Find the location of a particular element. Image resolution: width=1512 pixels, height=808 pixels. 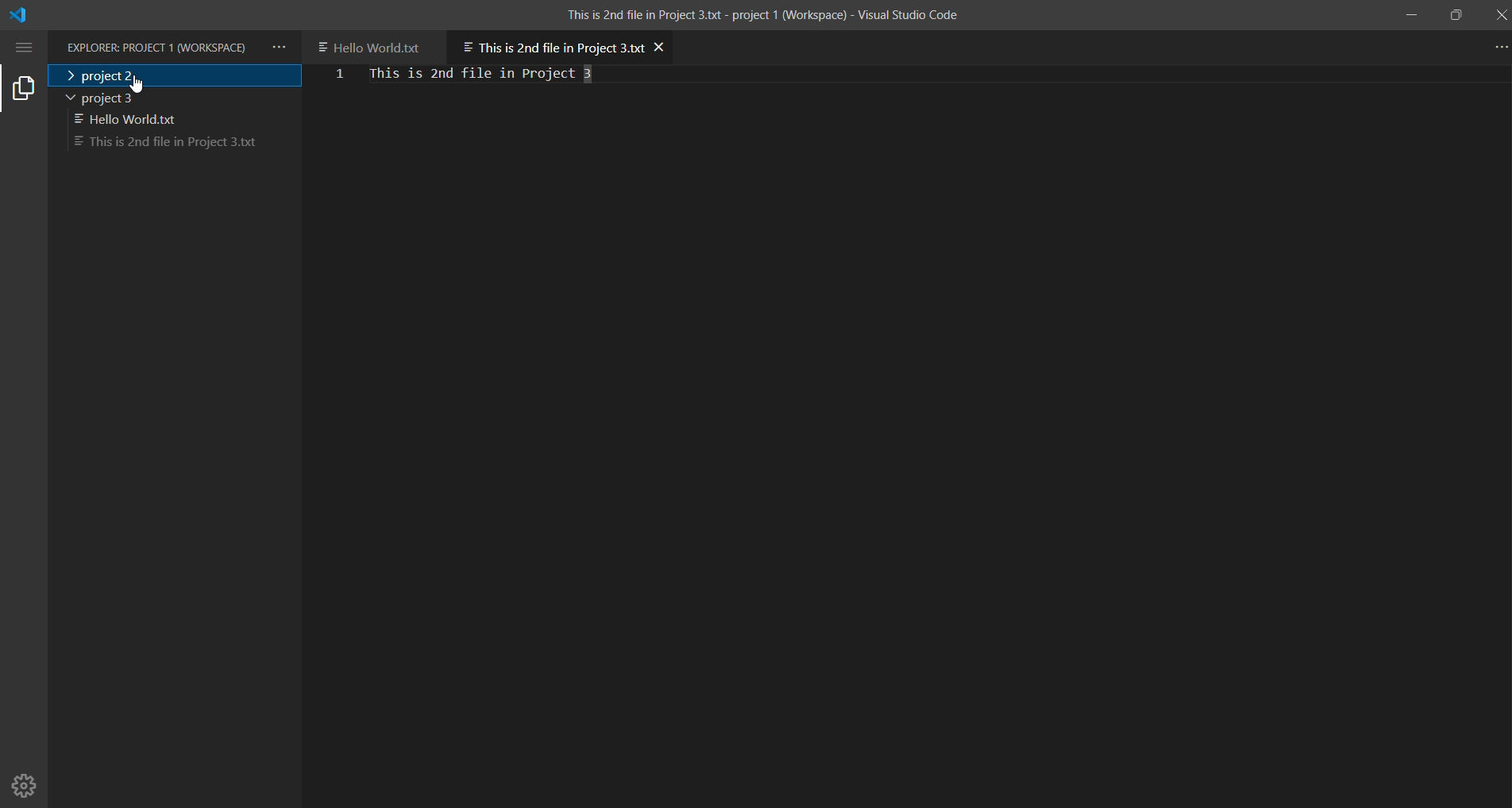

another file in project is located at coordinates (375, 45).